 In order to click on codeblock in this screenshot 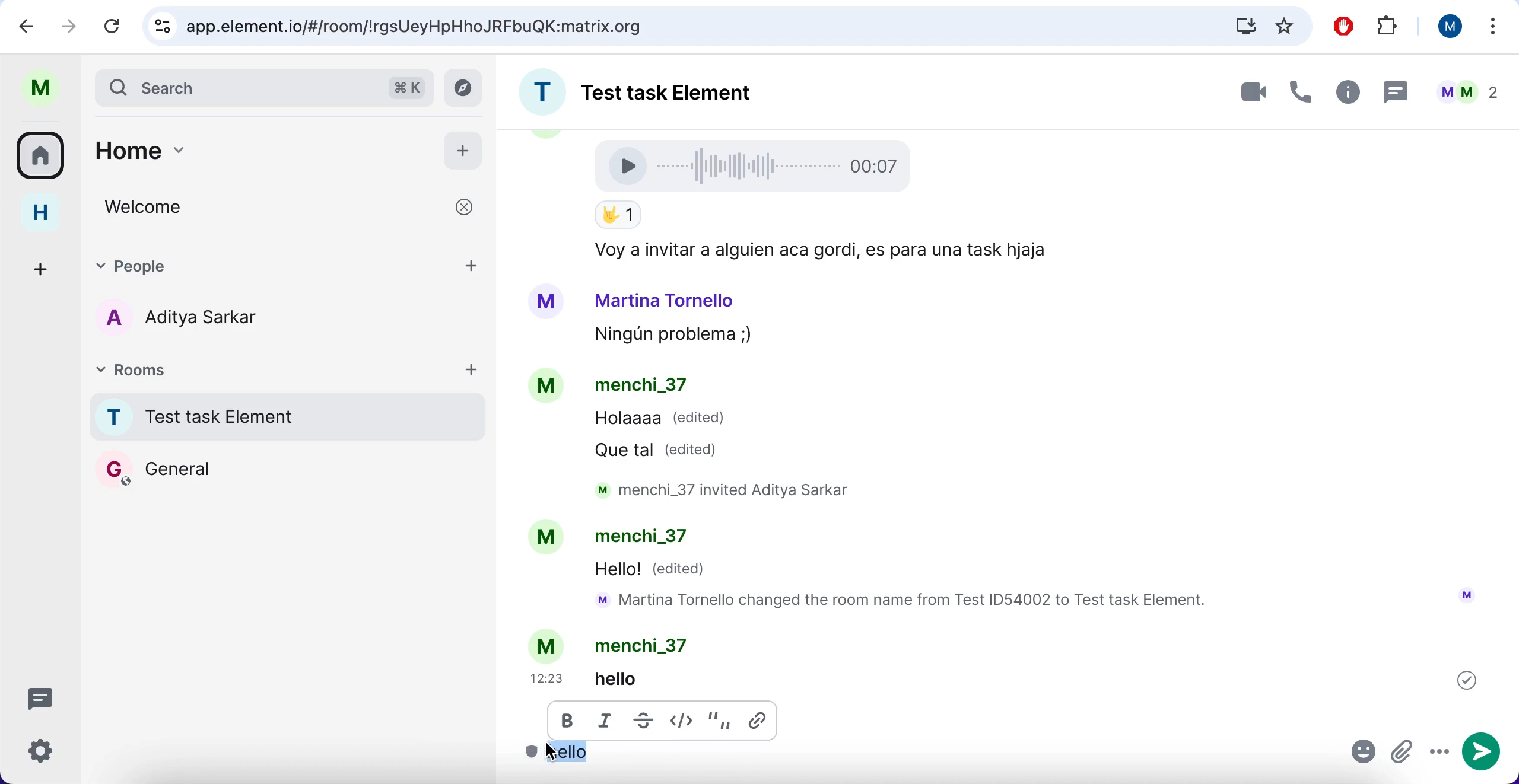, I will do `click(685, 718)`.